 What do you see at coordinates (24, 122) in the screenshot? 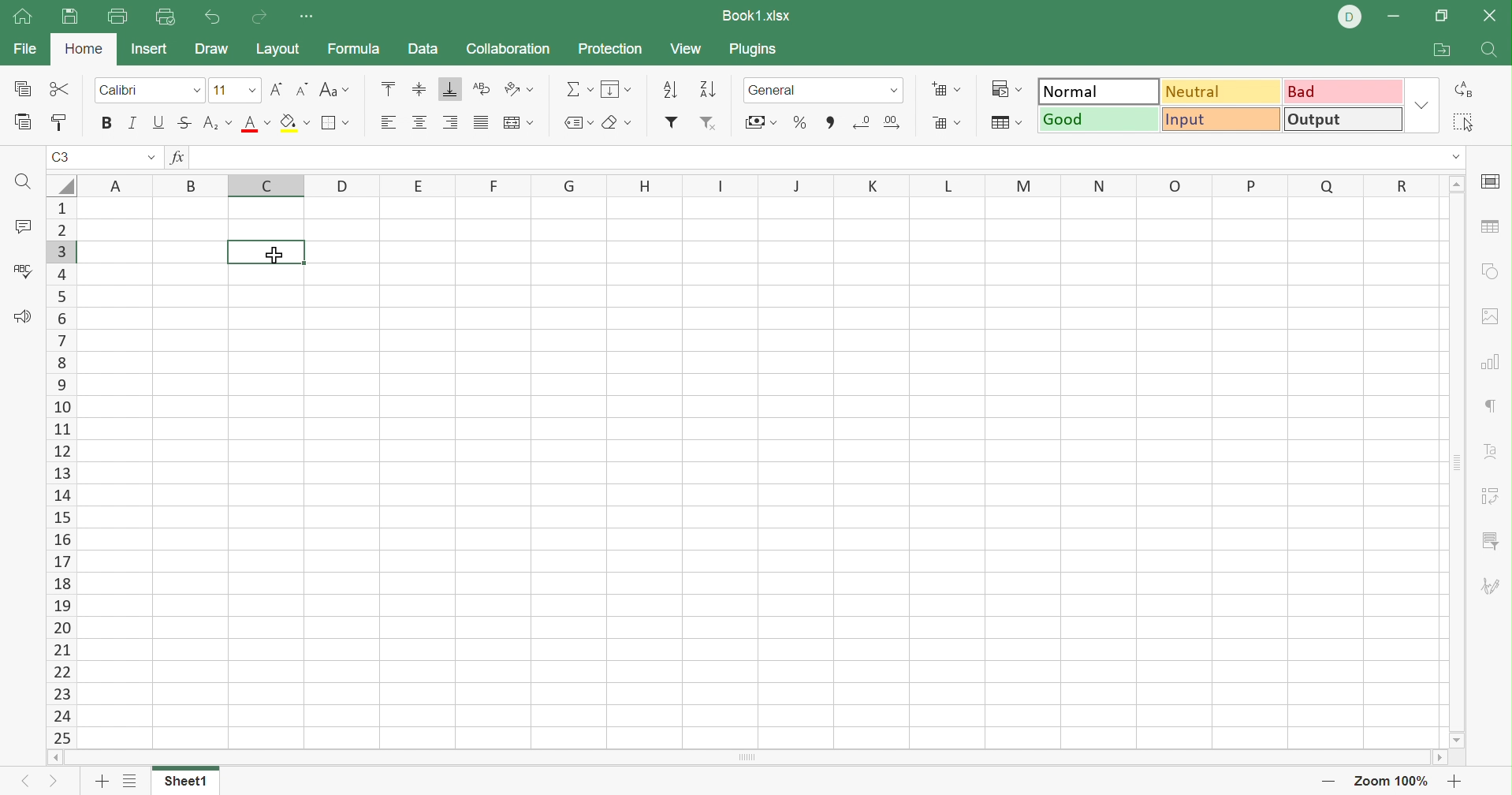
I see `Paste` at bounding box center [24, 122].